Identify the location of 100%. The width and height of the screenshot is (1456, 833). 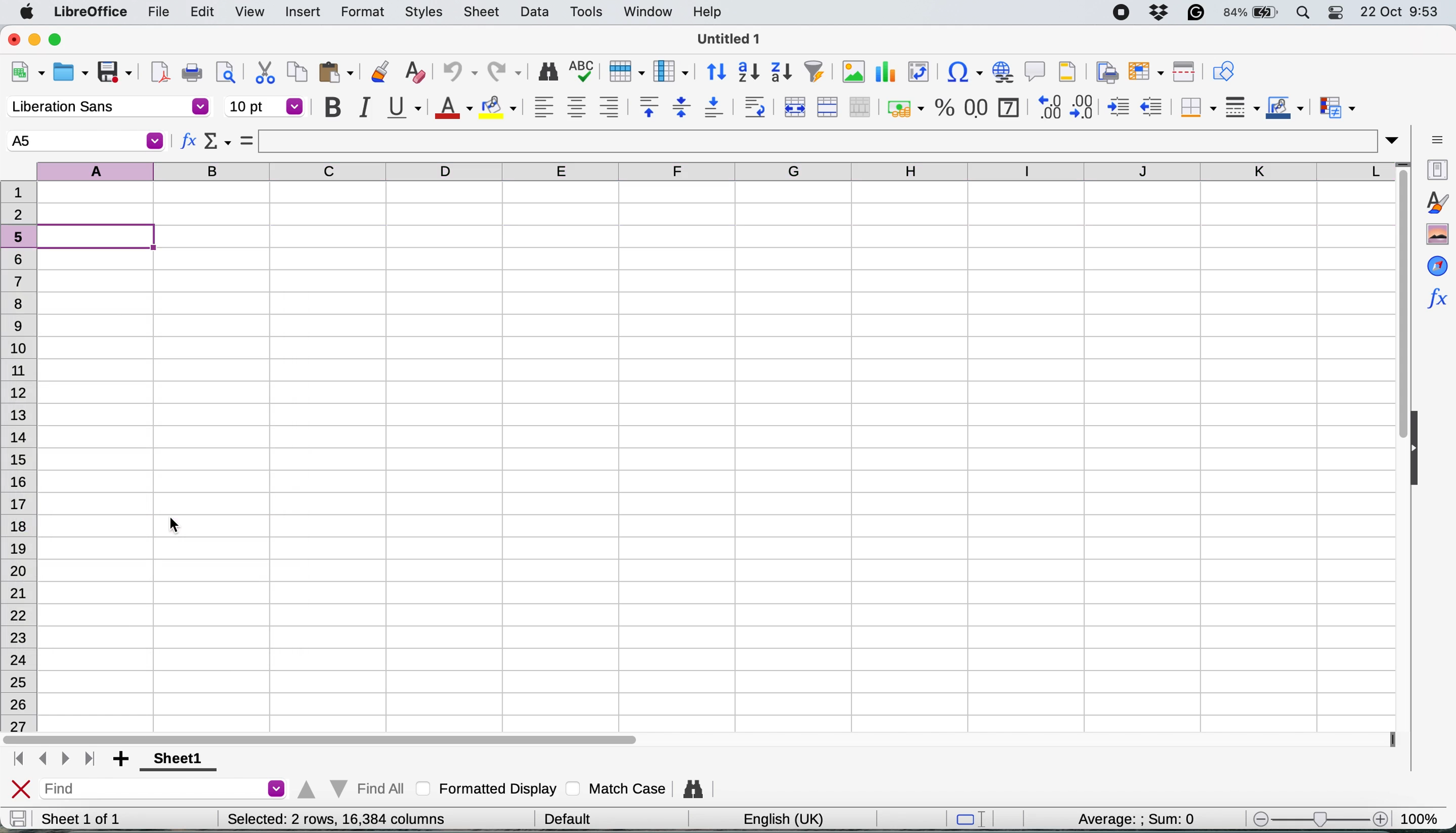
(1423, 816).